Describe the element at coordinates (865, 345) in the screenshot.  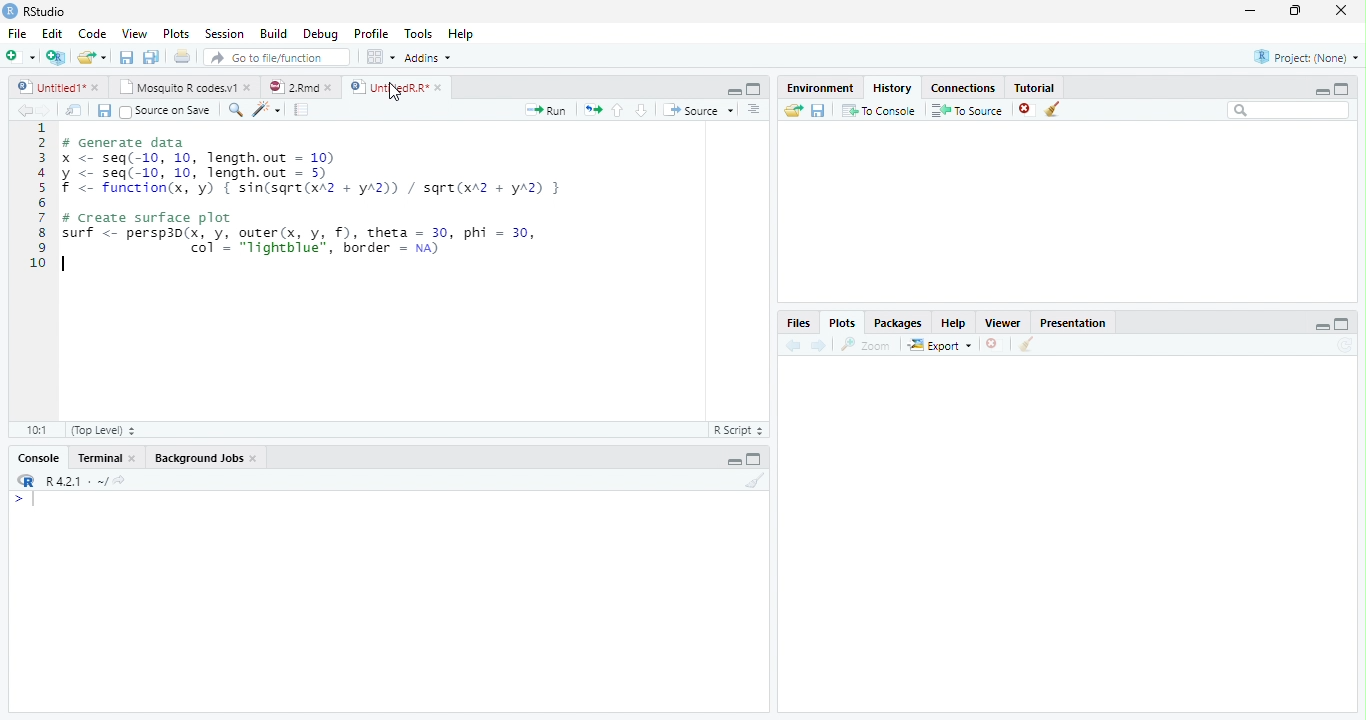
I see `Zoom` at that location.